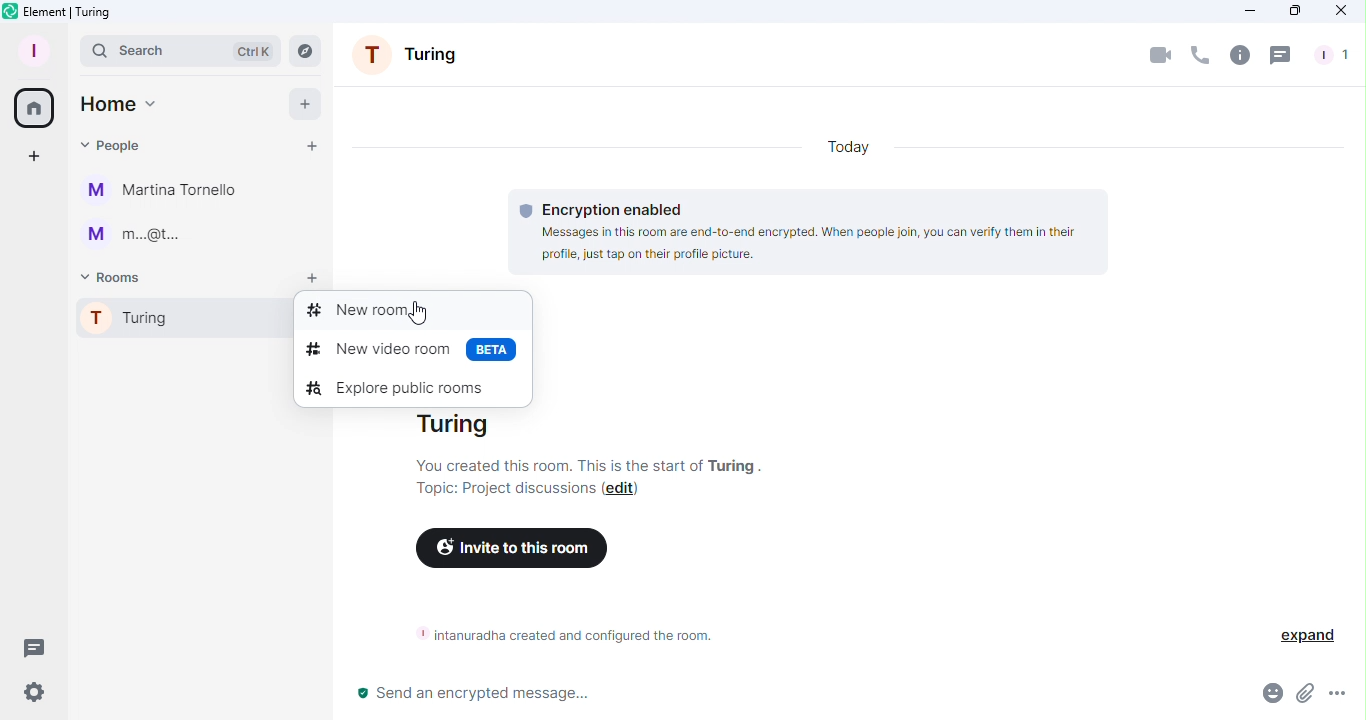 The width and height of the screenshot is (1366, 720). What do you see at coordinates (118, 104) in the screenshot?
I see `Home` at bounding box center [118, 104].